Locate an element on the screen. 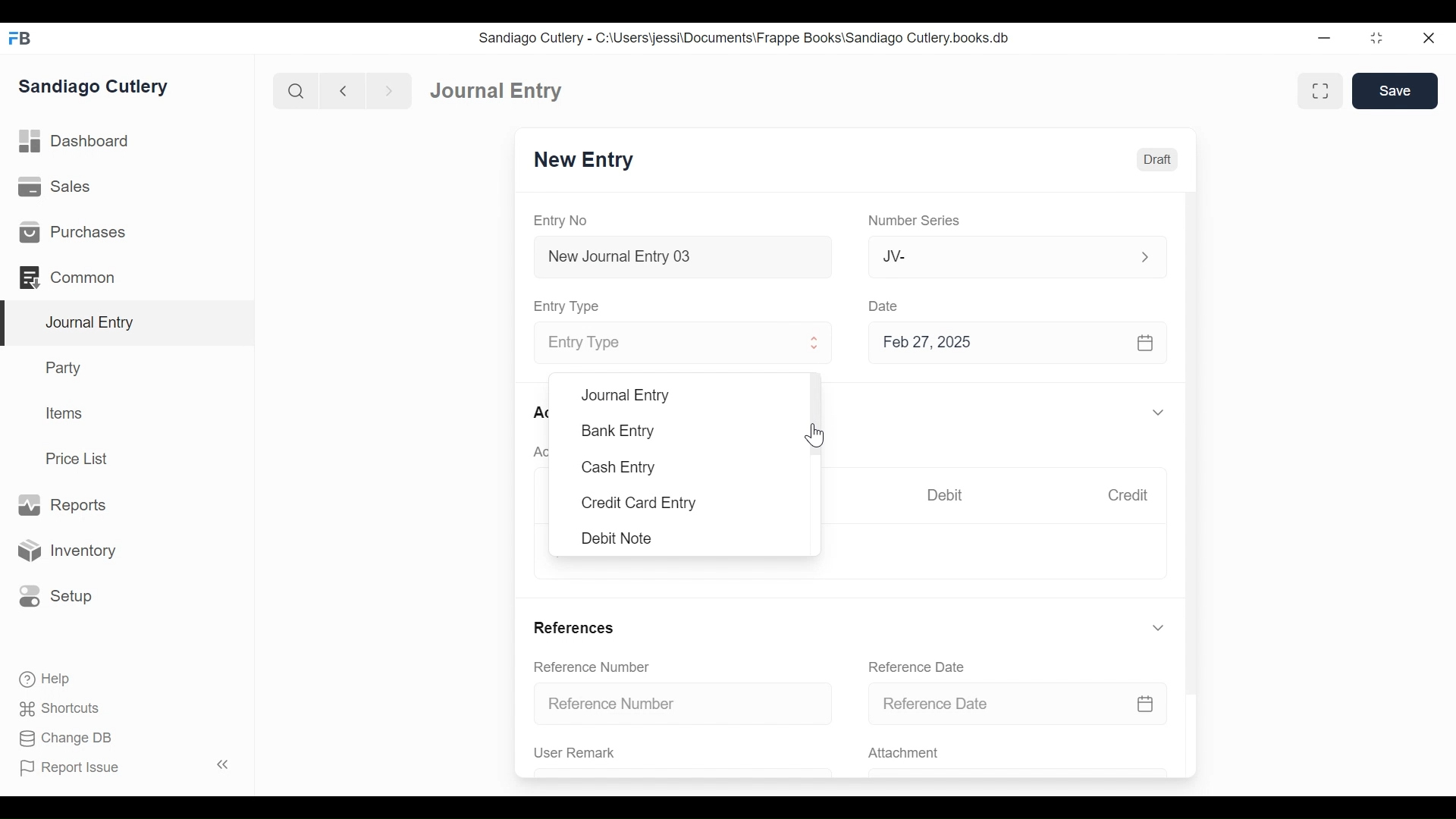 This screenshot has width=1456, height=819. Toggle between form and full width is located at coordinates (1320, 90).